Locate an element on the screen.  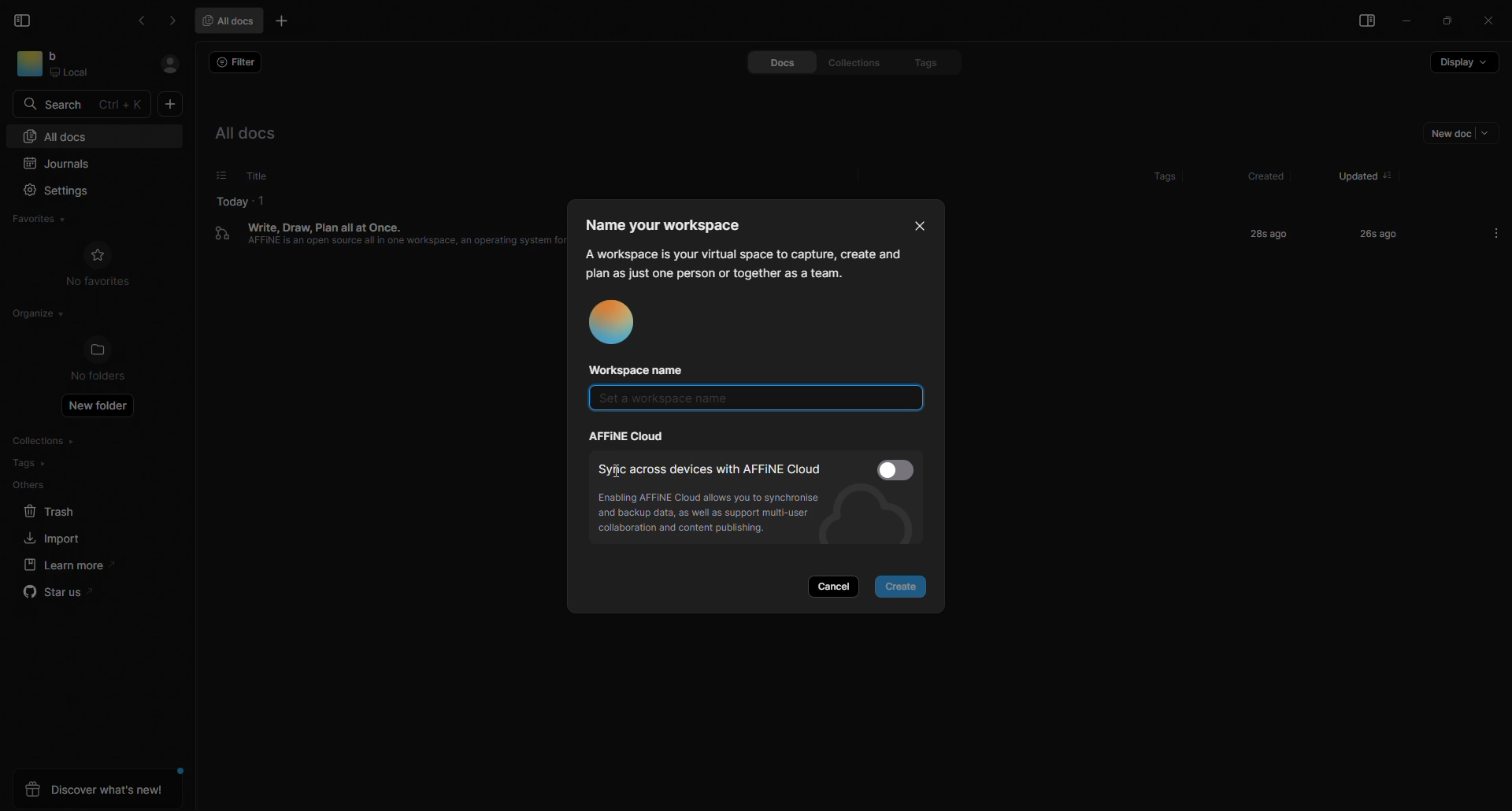
today is located at coordinates (232, 199).